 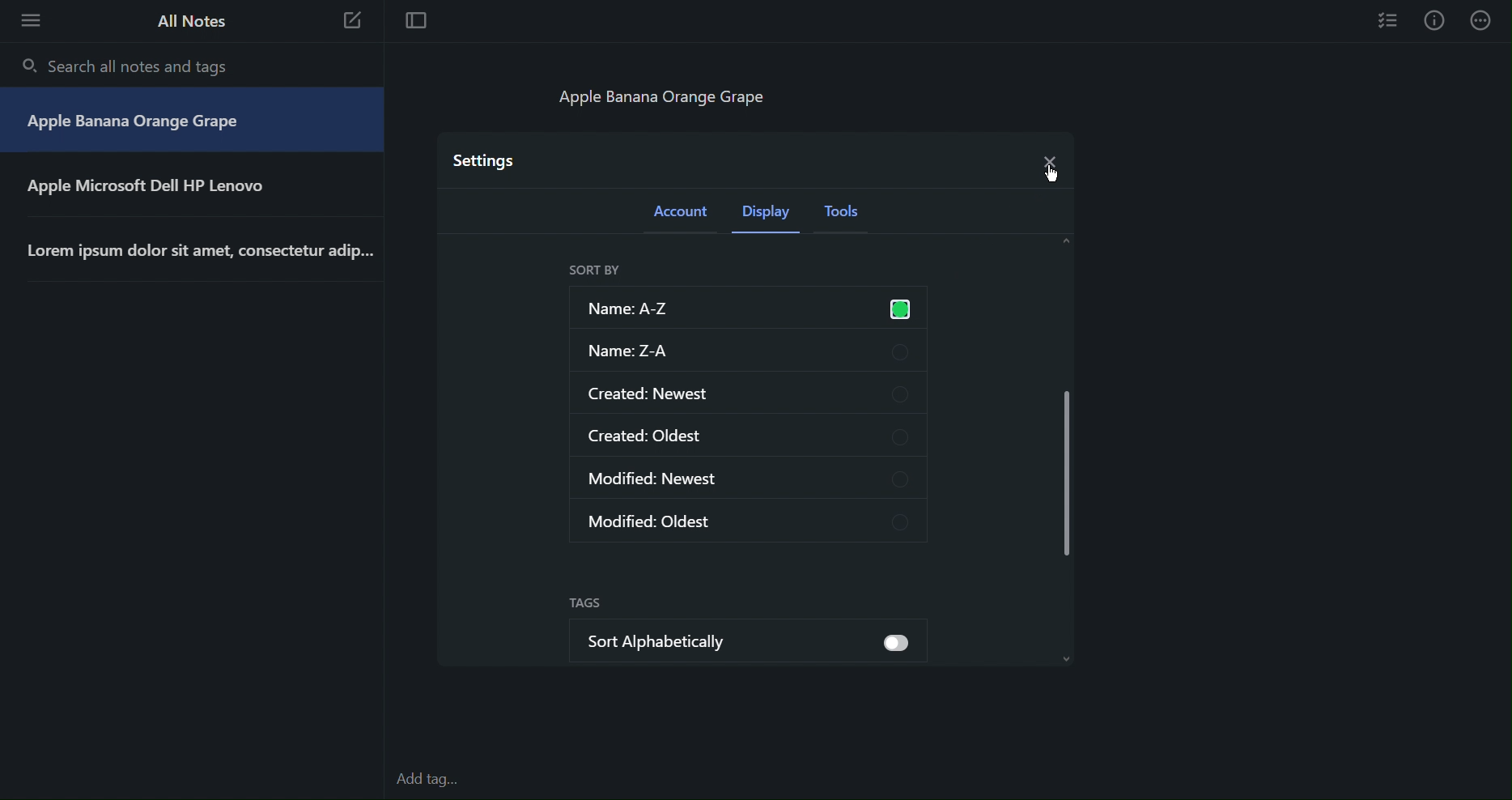 I want to click on Apple Banana Orange Grape, so click(x=136, y=124).